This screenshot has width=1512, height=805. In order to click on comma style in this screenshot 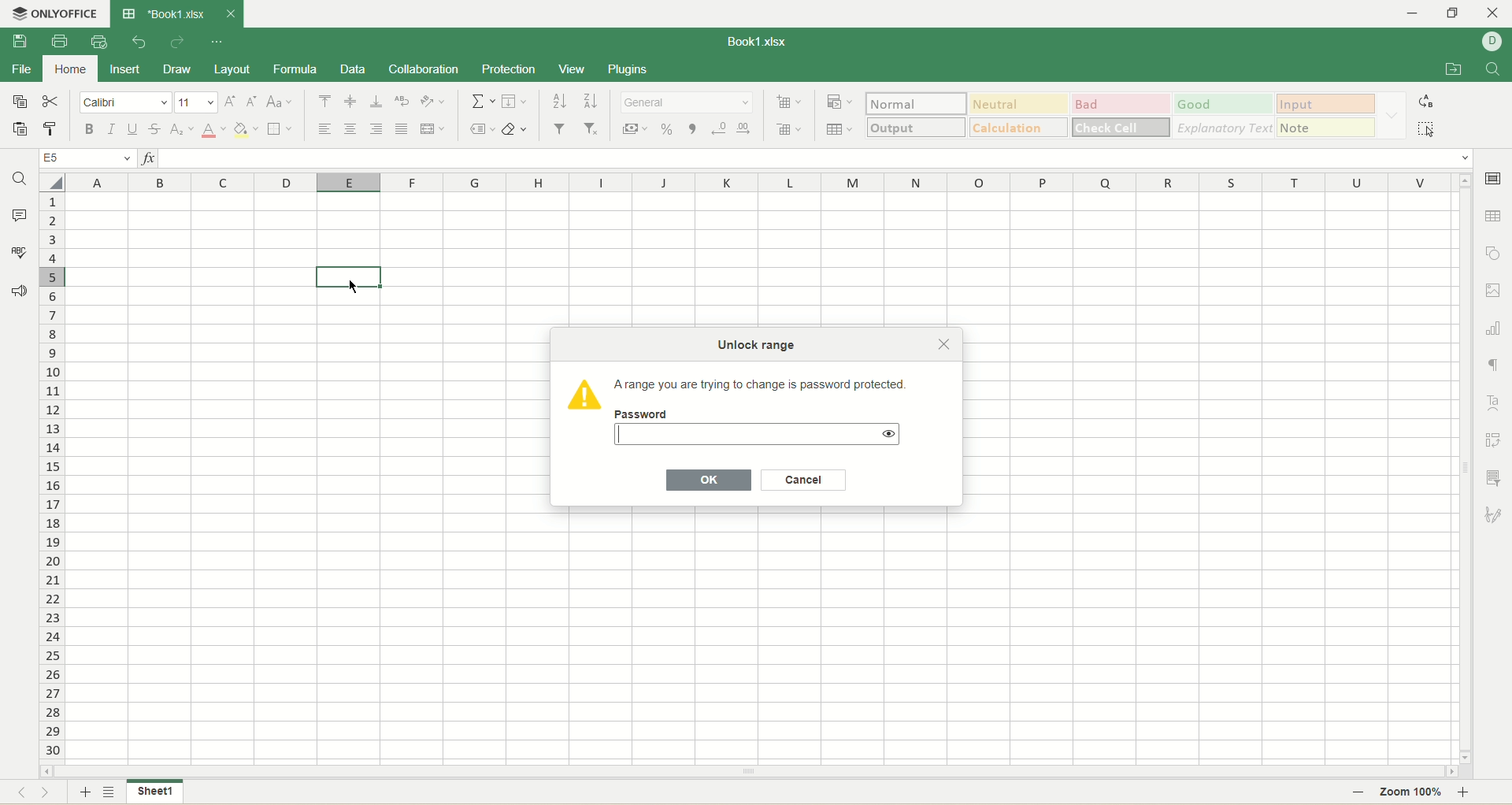, I will do `click(689, 129)`.